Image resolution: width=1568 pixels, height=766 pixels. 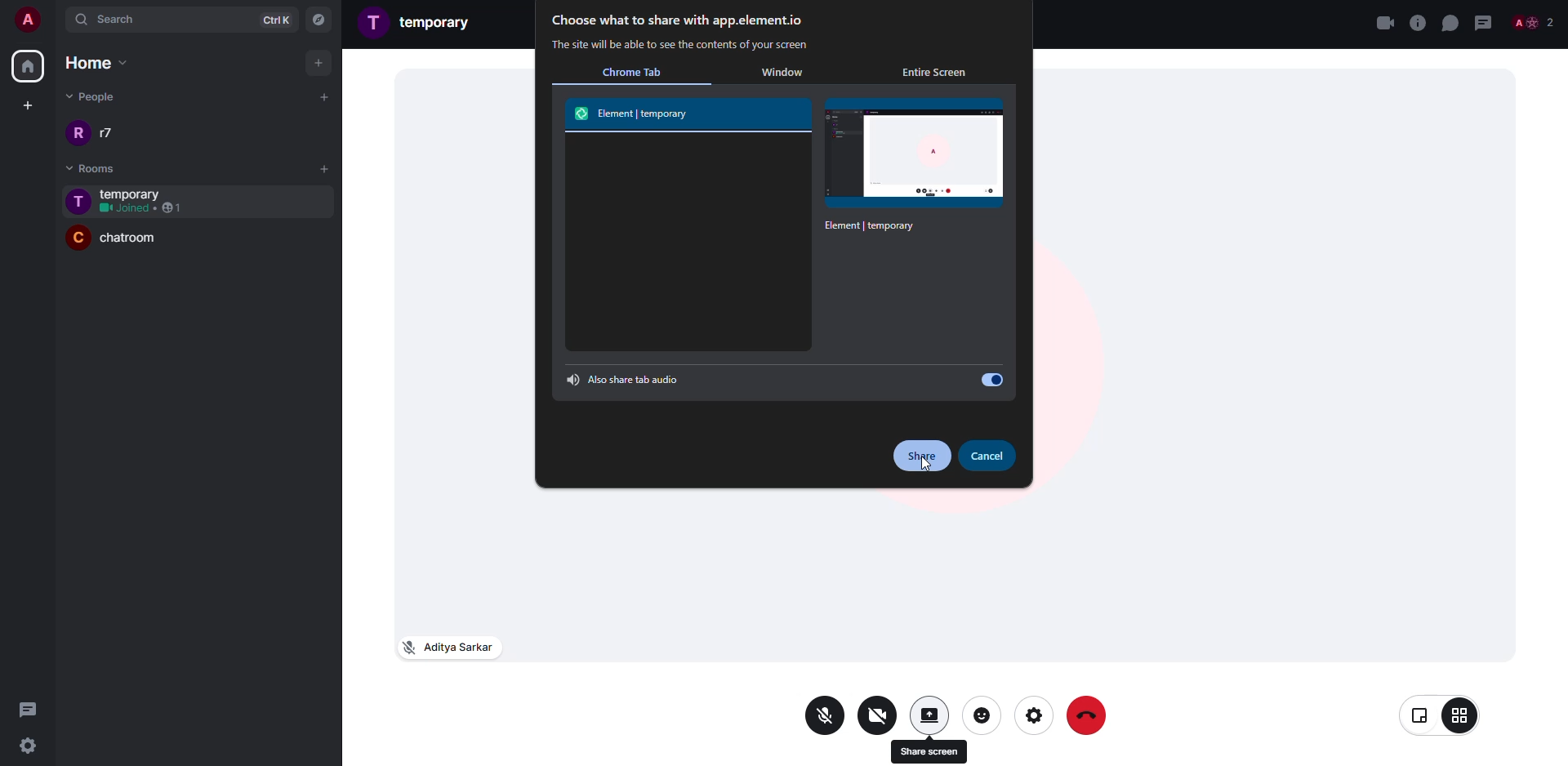 I want to click on profile, so click(x=76, y=238).